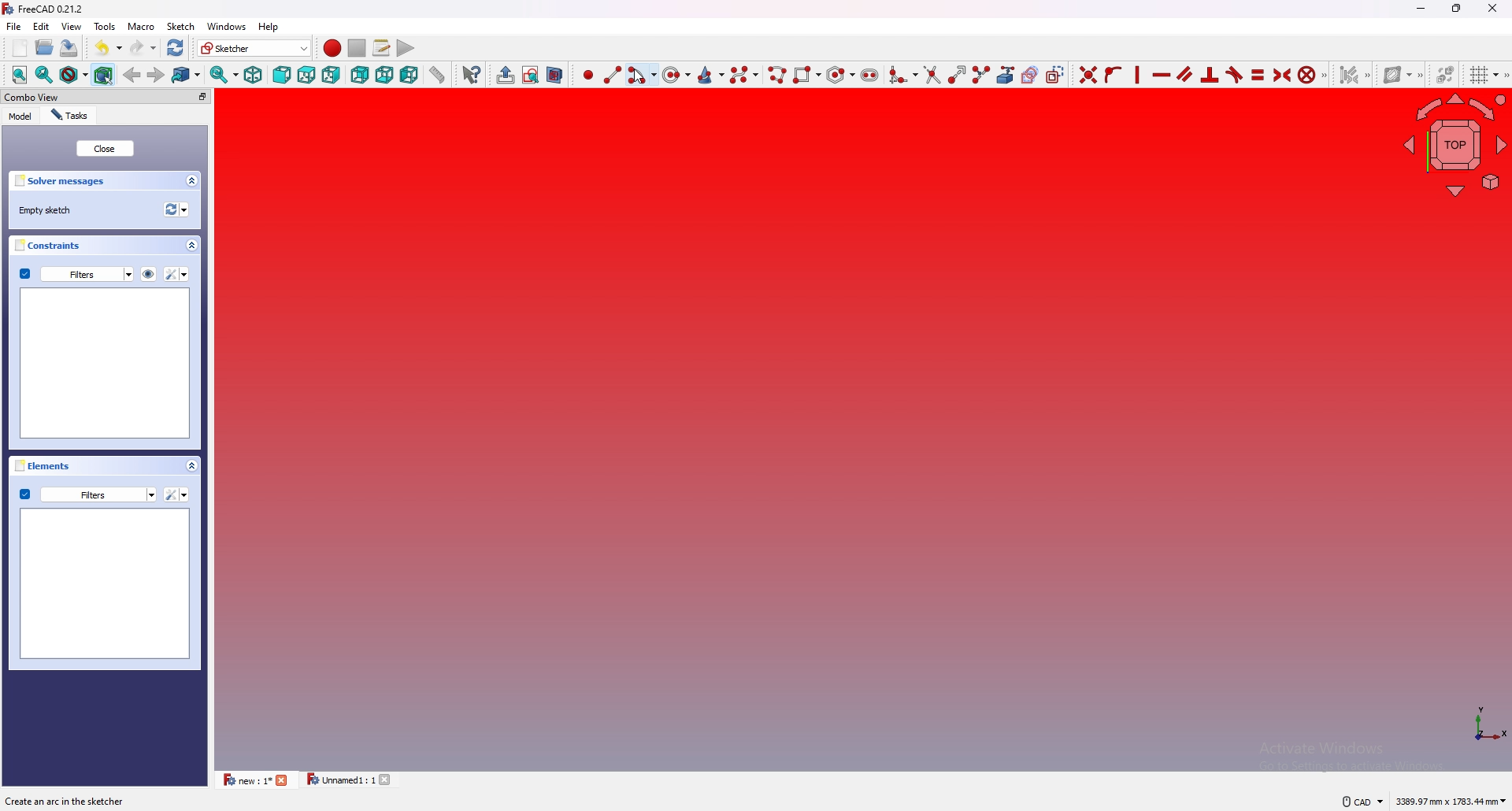 The width and height of the screenshot is (1512, 811). I want to click on isometric, so click(254, 75).